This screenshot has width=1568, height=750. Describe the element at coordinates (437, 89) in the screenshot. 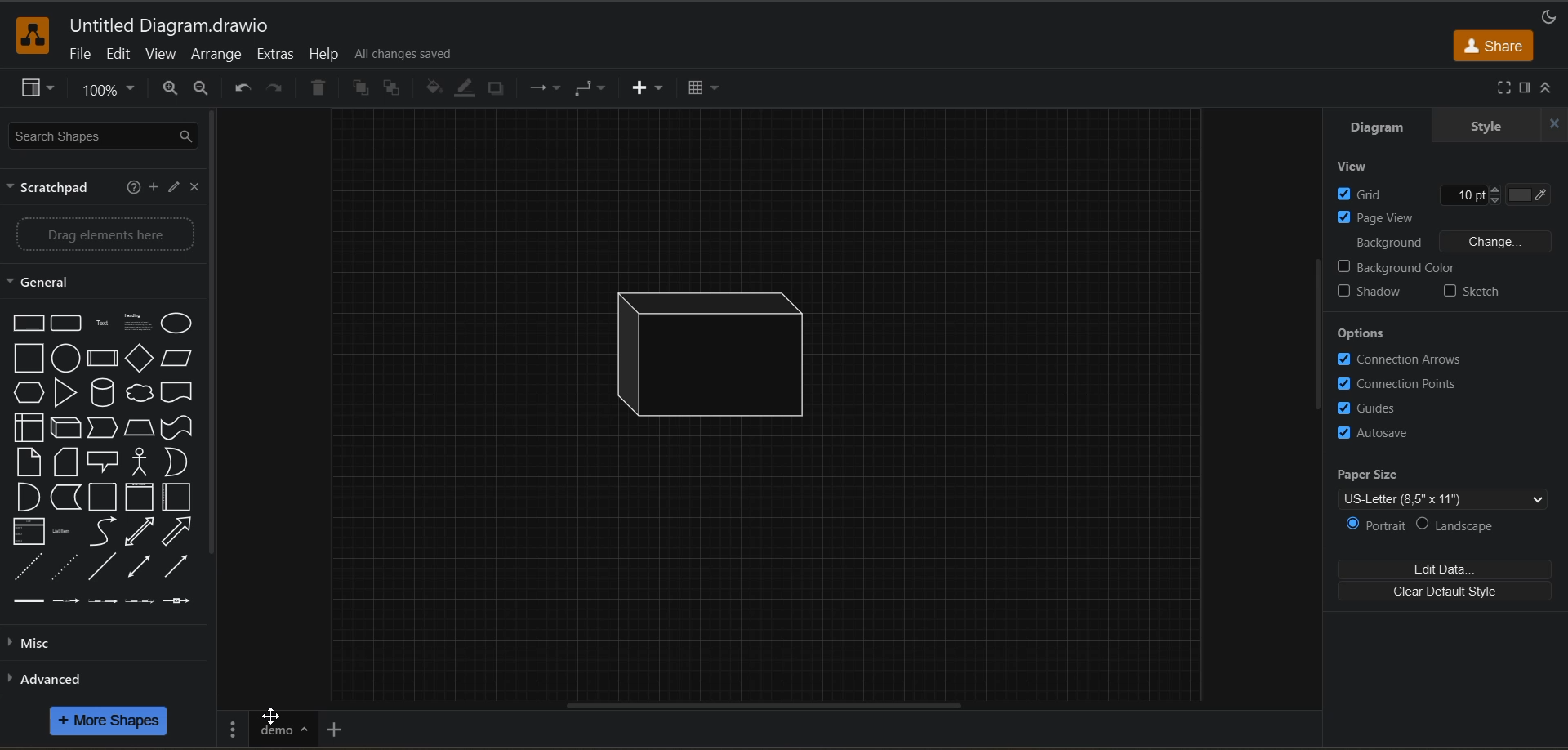

I see `fill color` at that location.